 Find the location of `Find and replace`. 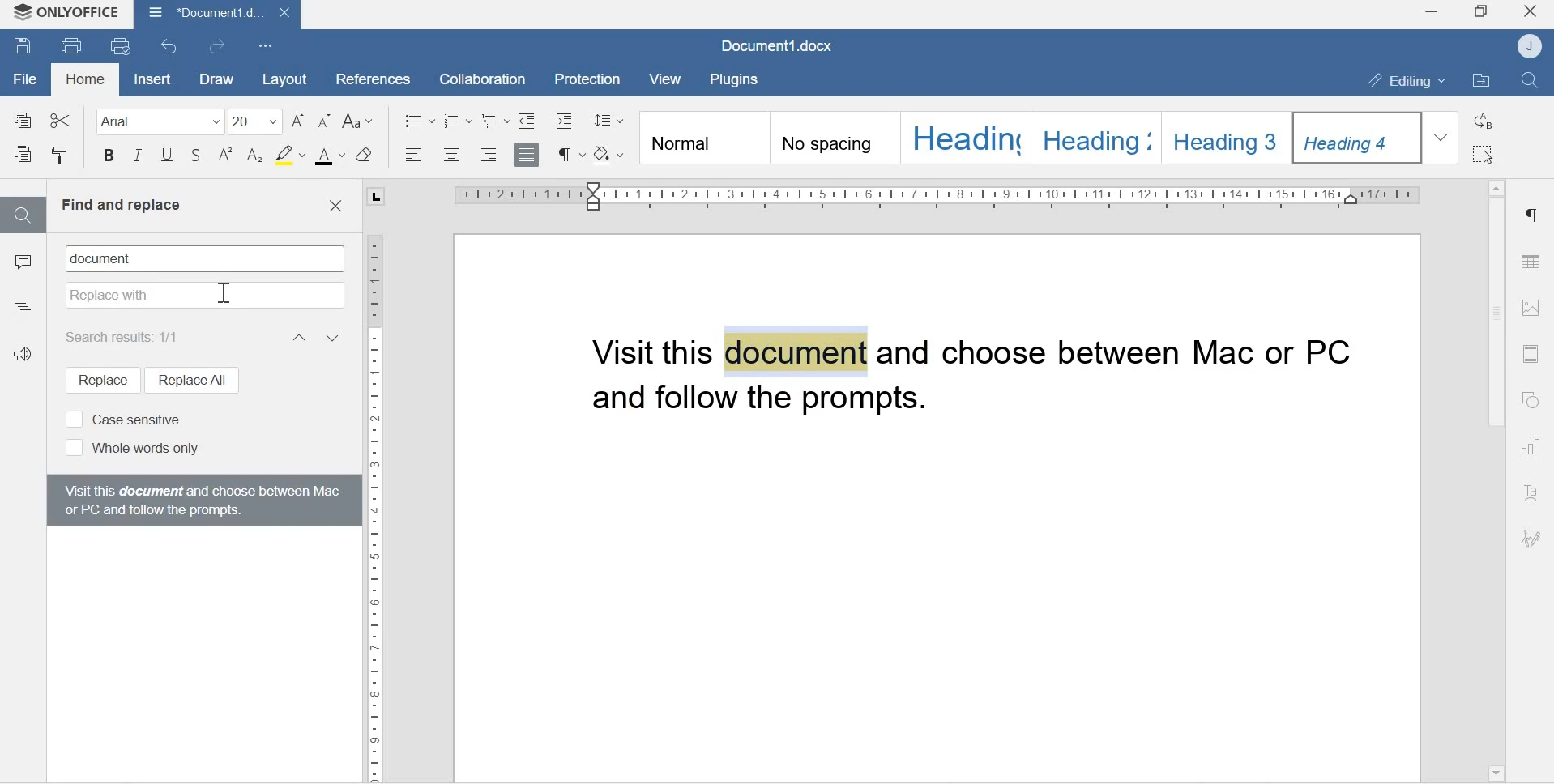

Find and replace is located at coordinates (121, 205).